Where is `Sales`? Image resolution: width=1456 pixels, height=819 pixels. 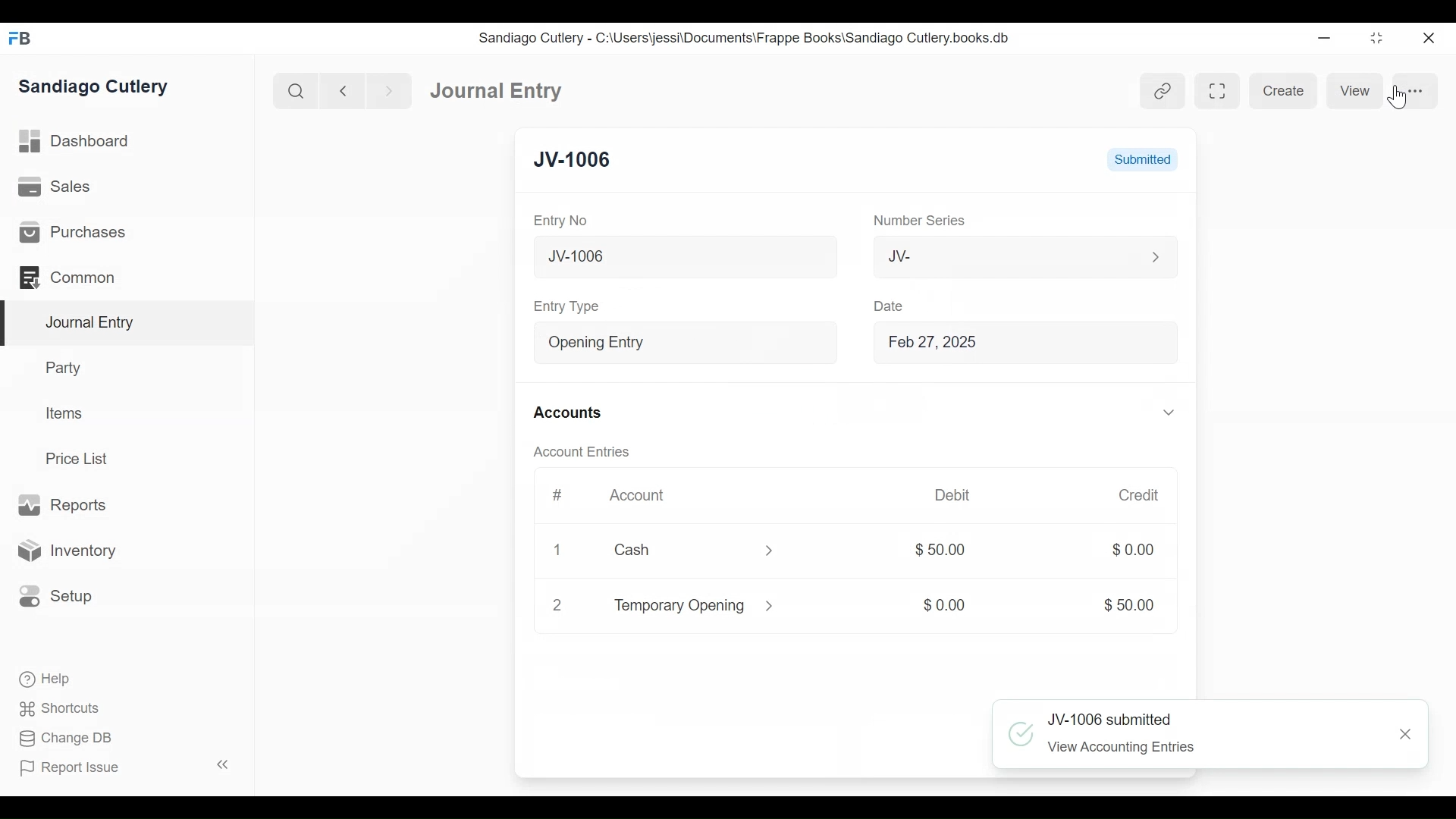
Sales is located at coordinates (55, 186).